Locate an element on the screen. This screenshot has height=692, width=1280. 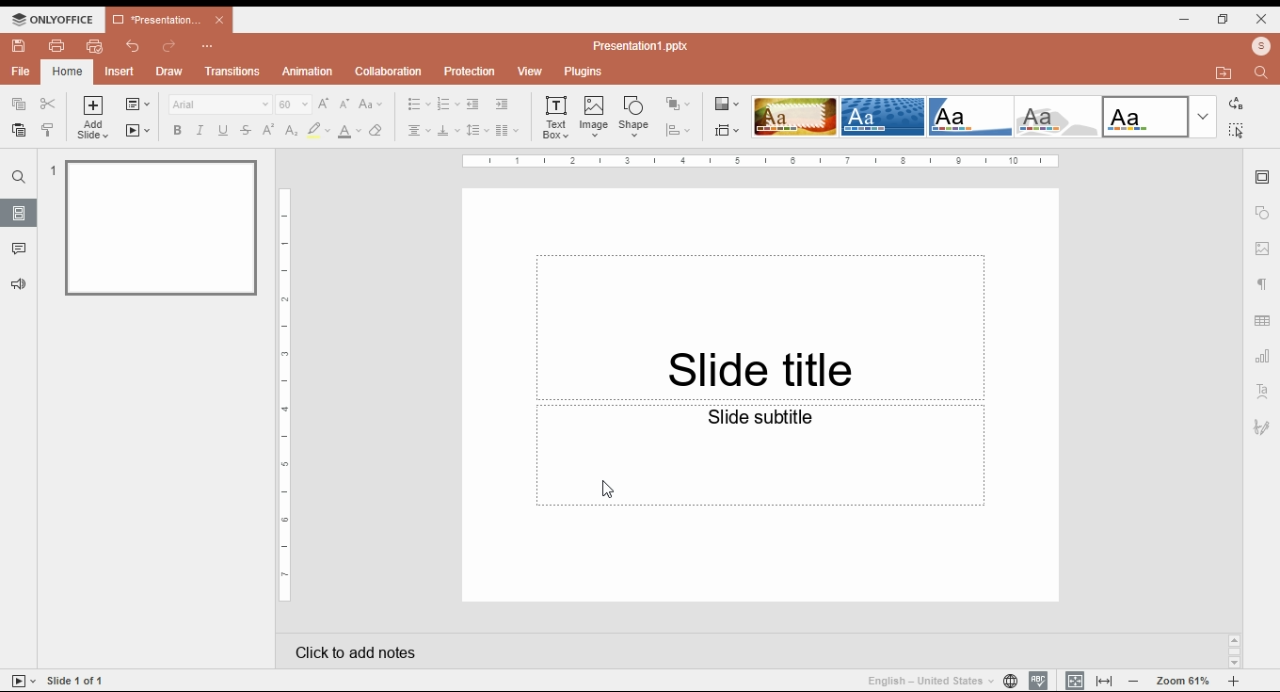
start slideshow is located at coordinates (138, 131).